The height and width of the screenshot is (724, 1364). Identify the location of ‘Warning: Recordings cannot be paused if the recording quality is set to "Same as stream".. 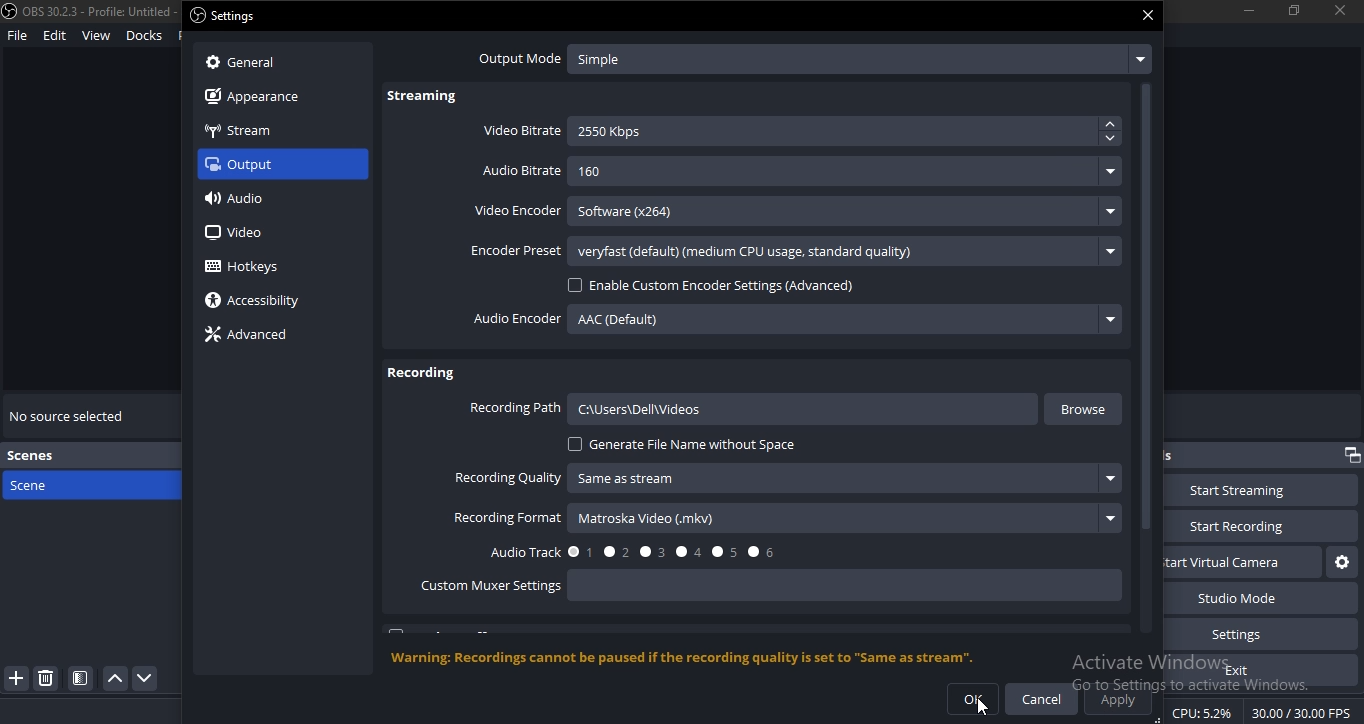
(691, 657).